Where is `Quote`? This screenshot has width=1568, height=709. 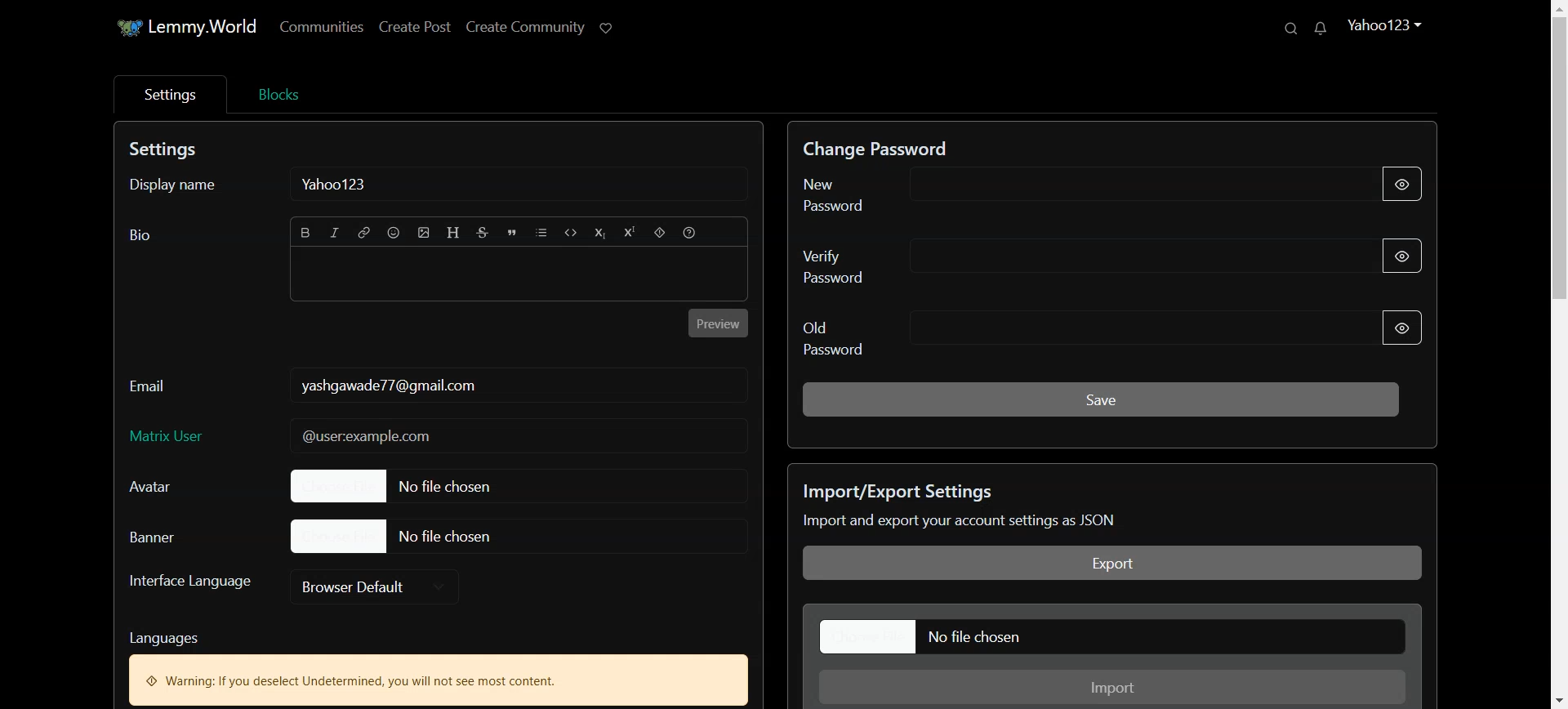
Quote is located at coordinates (513, 234).